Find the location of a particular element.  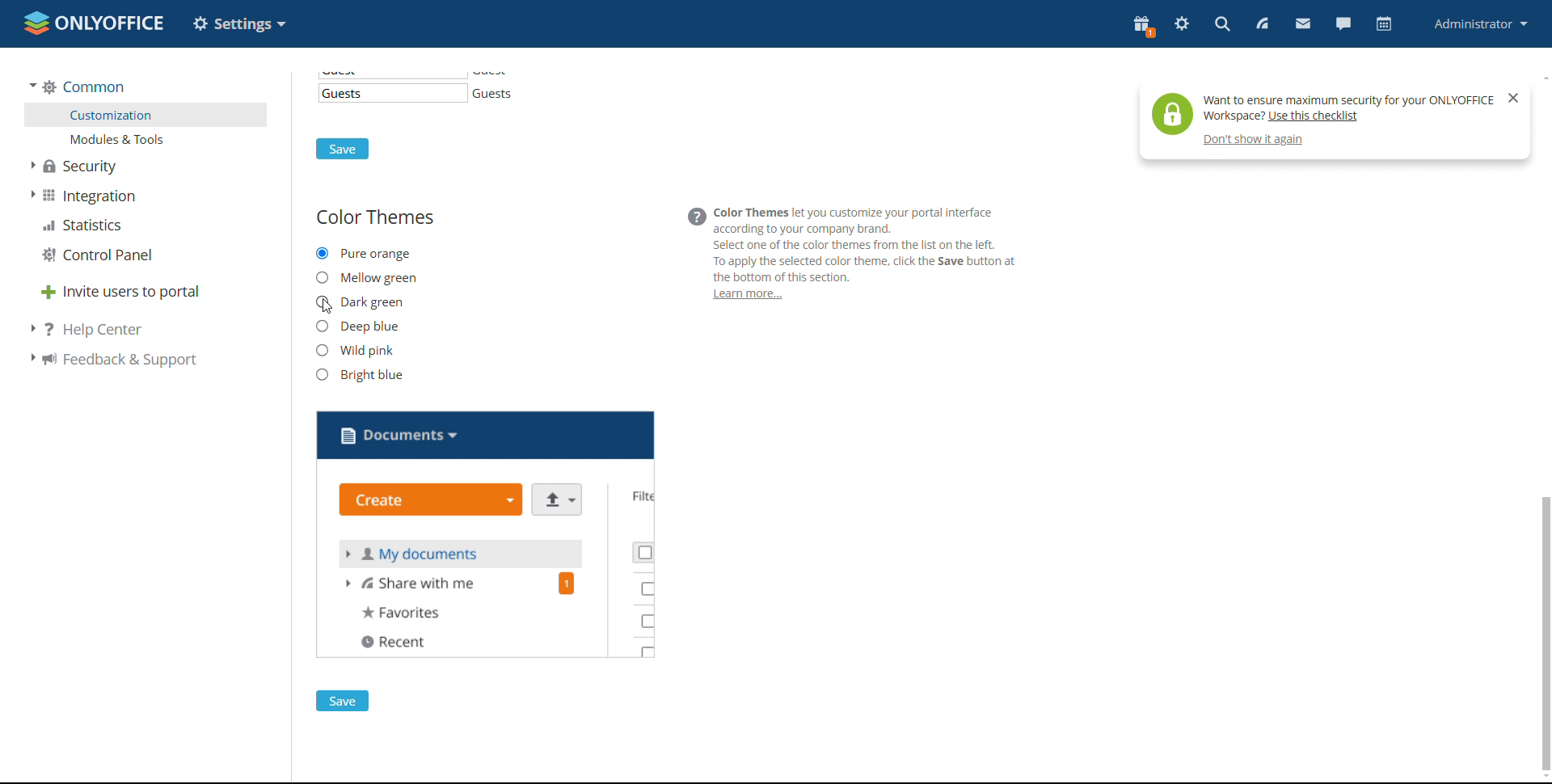

save is located at coordinates (342, 150).